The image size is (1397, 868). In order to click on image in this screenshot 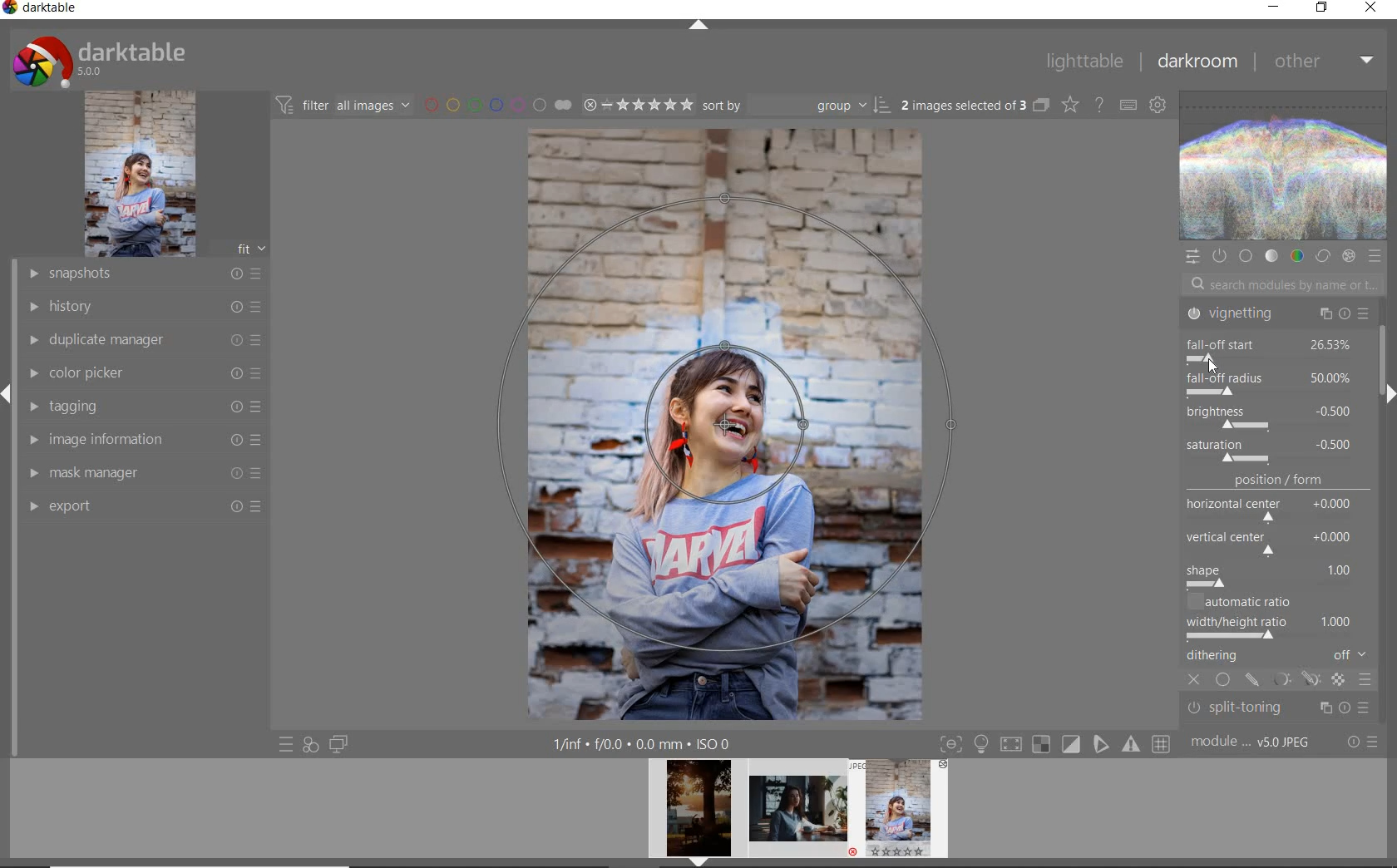, I will do `click(140, 174)`.